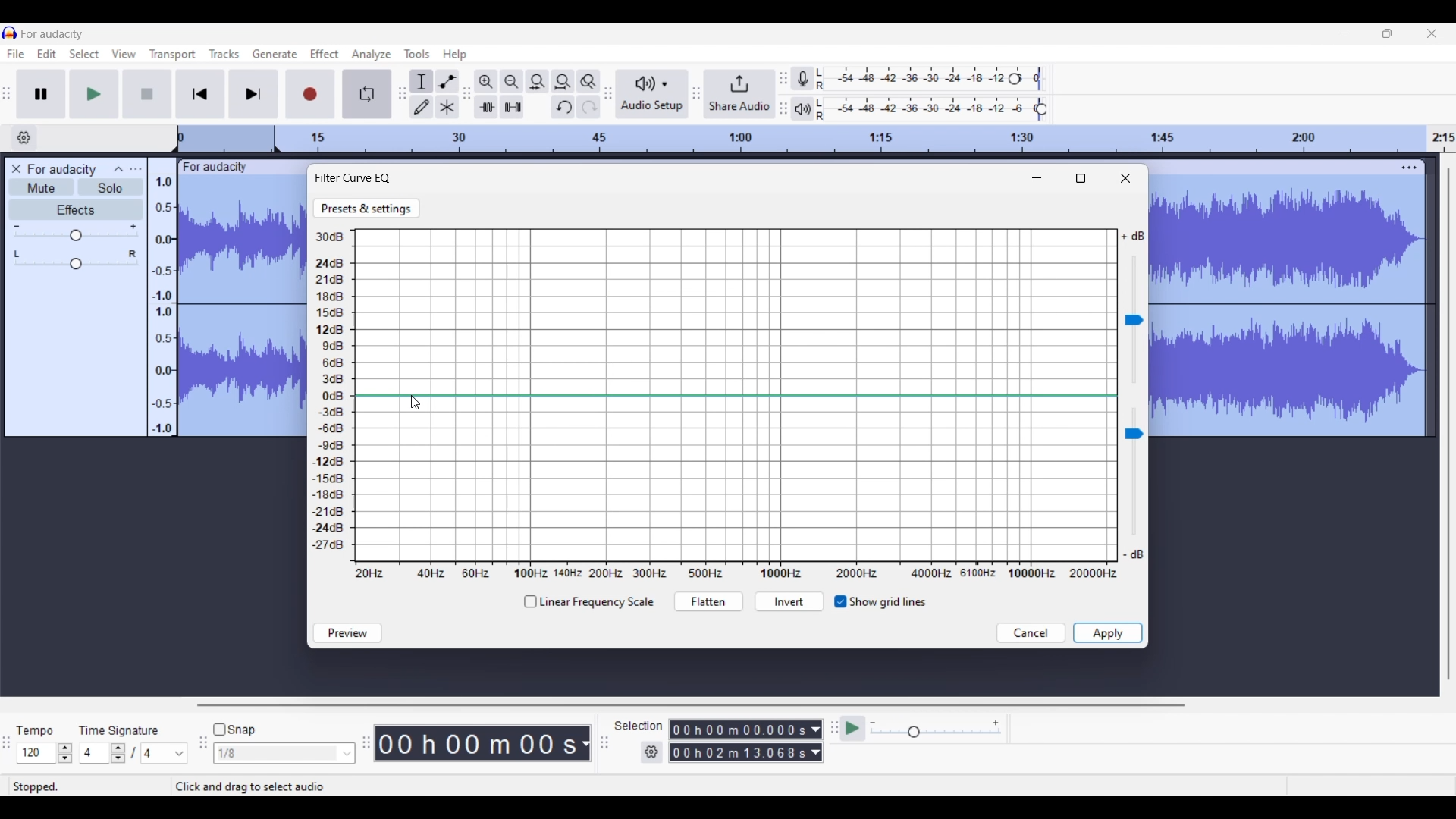 The width and height of the screenshot is (1456, 819). I want to click on Undo, so click(563, 106).